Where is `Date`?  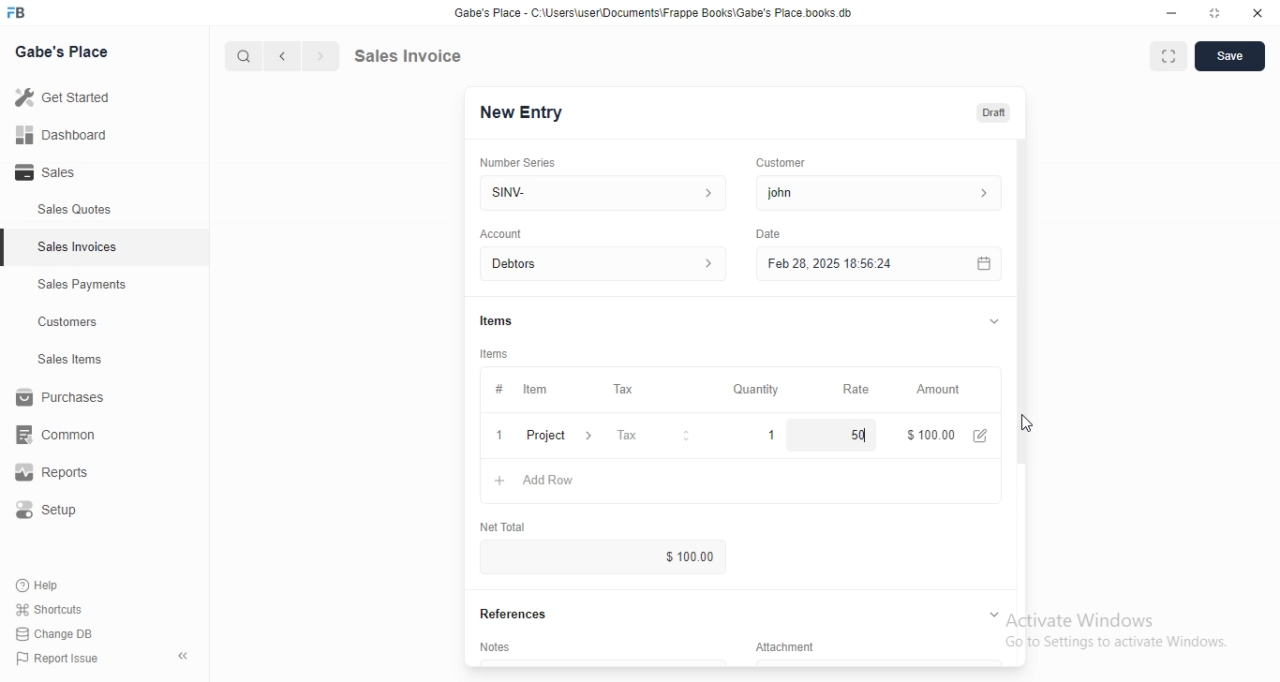
Date is located at coordinates (768, 232).